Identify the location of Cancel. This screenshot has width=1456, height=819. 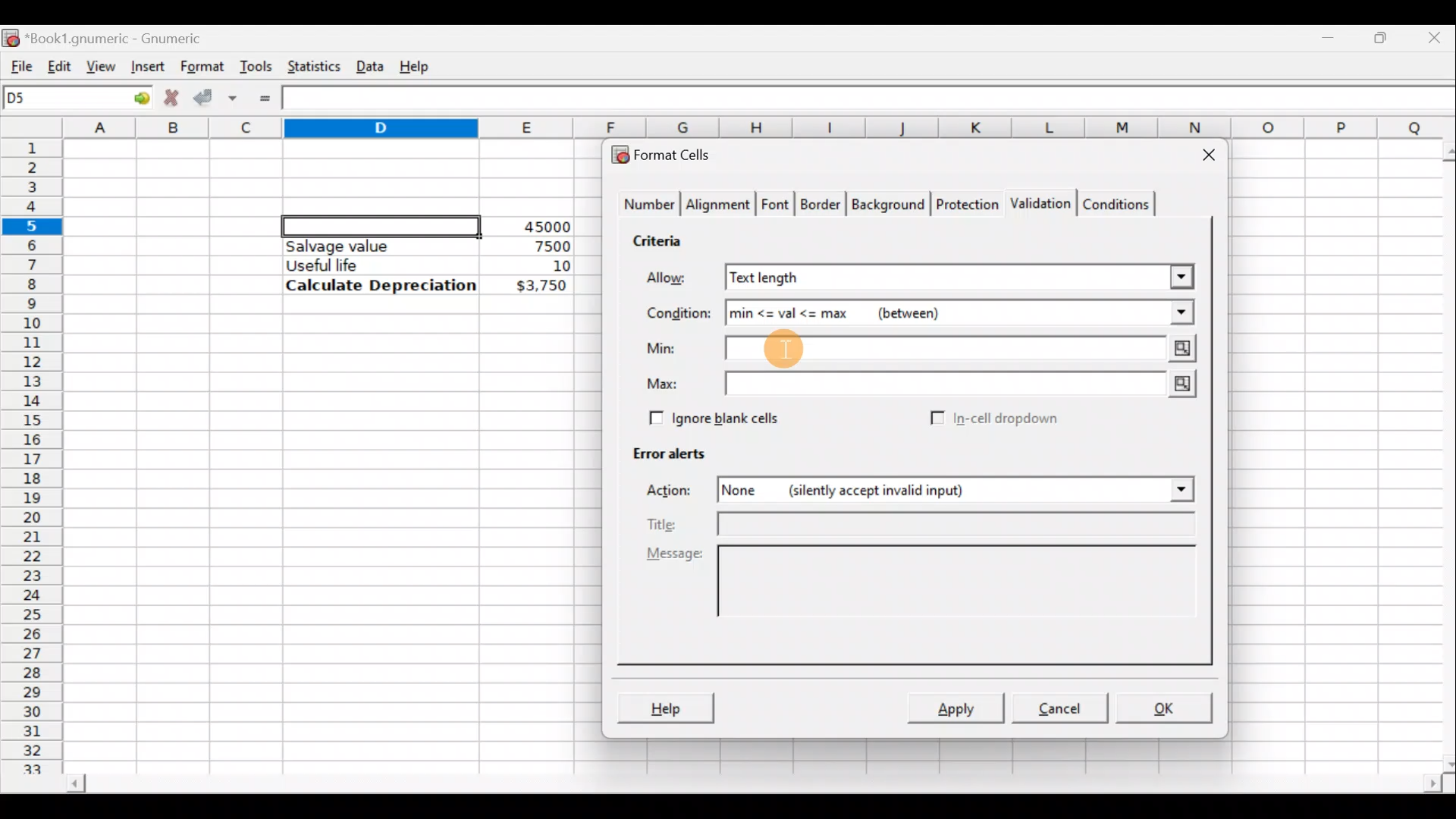
(1057, 707).